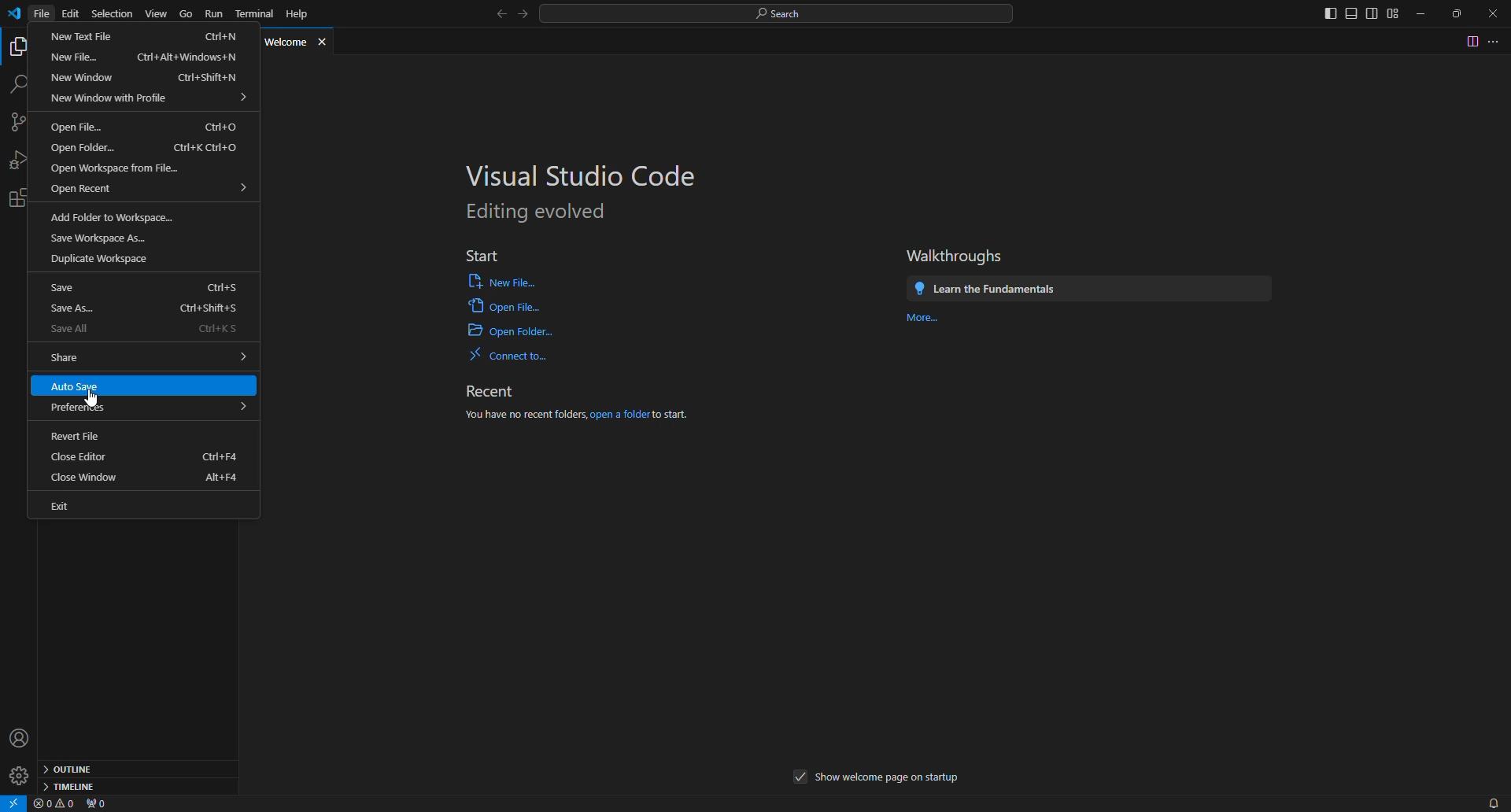  What do you see at coordinates (91, 398) in the screenshot?
I see `cursor` at bounding box center [91, 398].